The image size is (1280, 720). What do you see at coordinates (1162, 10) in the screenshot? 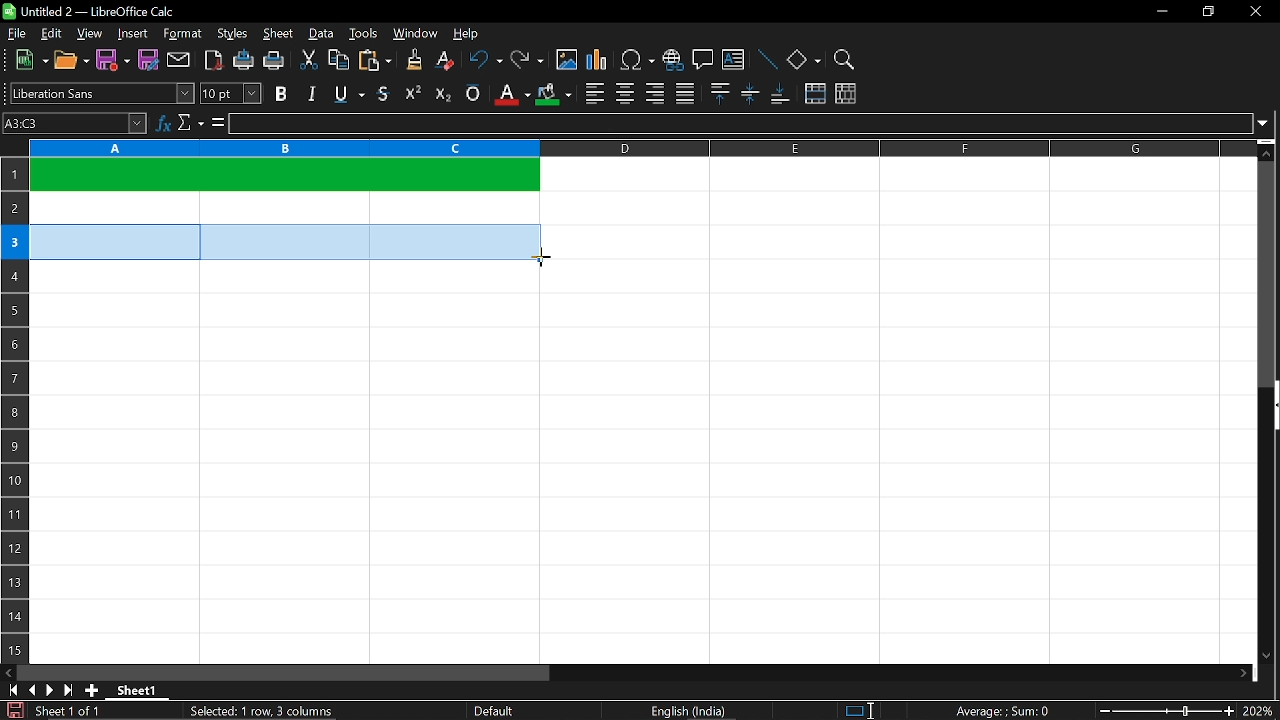
I see `minimize` at bounding box center [1162, 10].